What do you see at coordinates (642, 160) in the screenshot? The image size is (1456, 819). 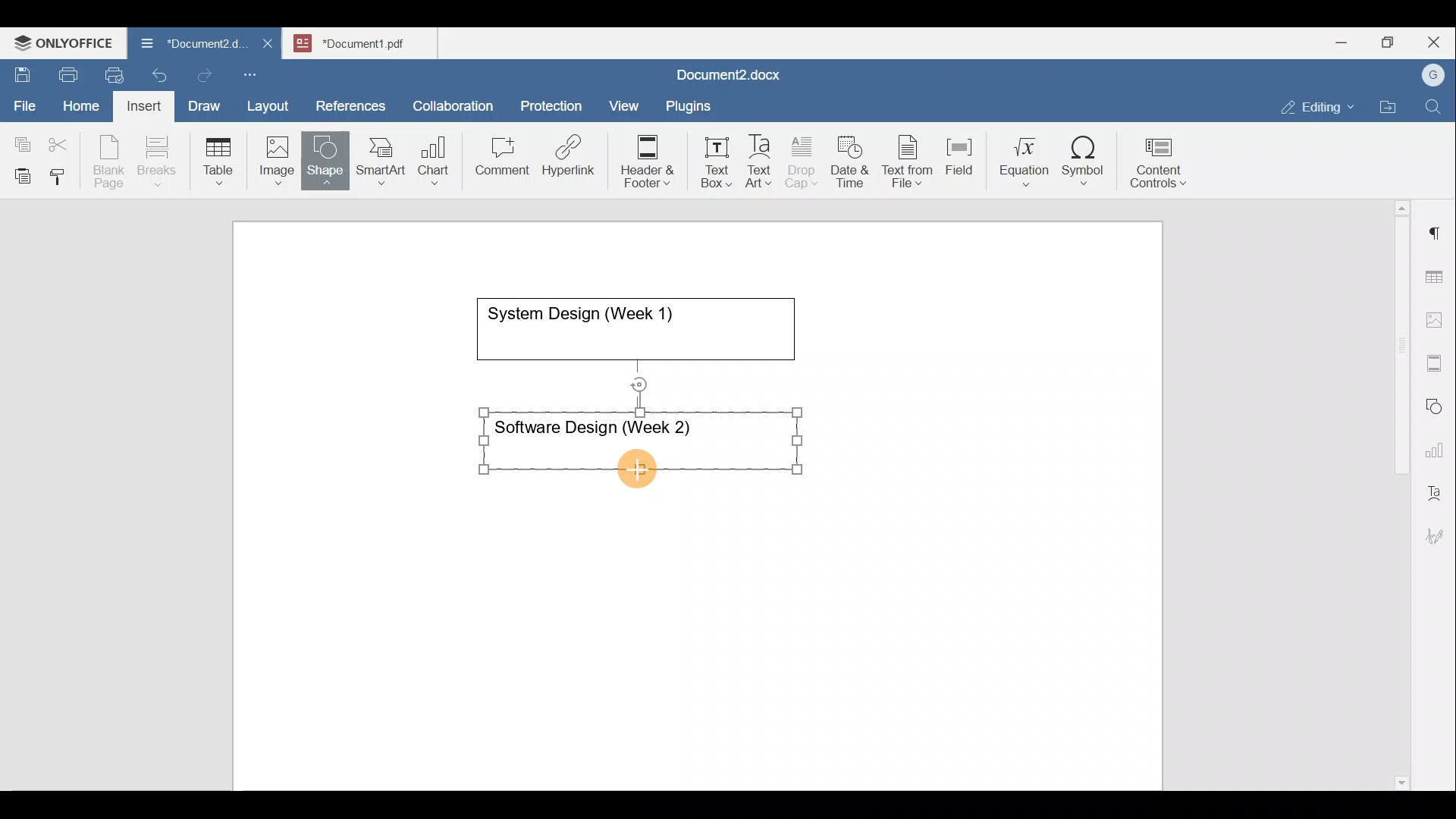 I see `Header & footer` at bounding box center [642, 160].